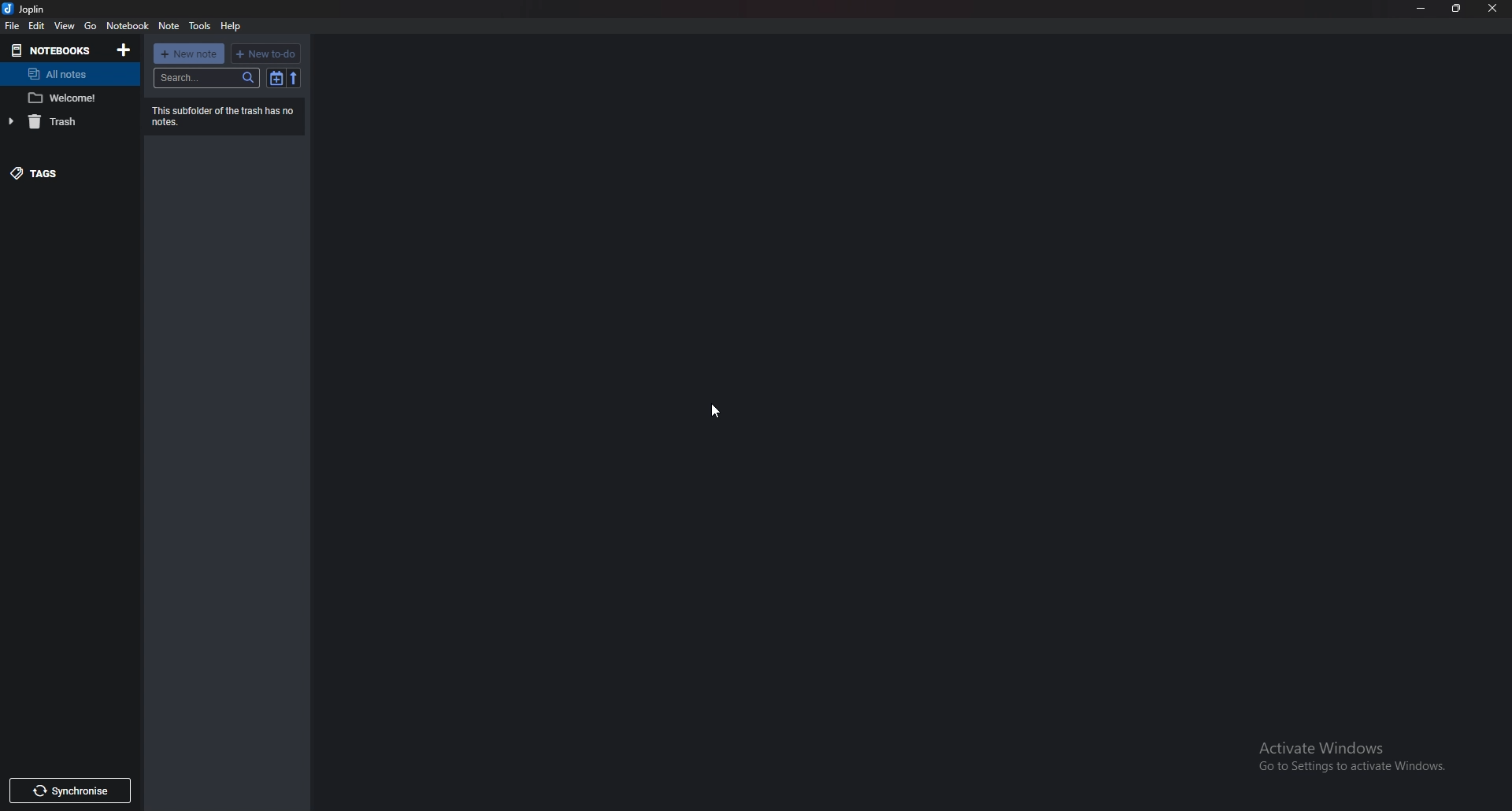 The width and height of the screenshot is (1512, 811). What do you see at coordinates (276, 79) in the screenshot?
I see `toggle sort` at bounding box center [276, 79].